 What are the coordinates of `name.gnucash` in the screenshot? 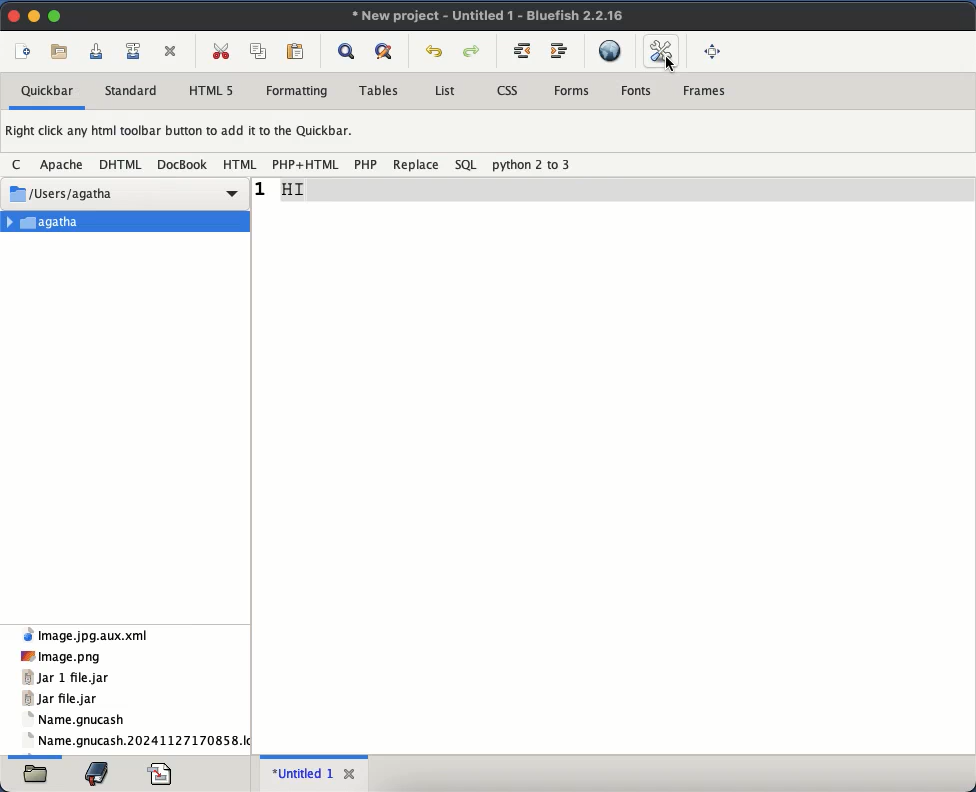 It's located at (137, 741).